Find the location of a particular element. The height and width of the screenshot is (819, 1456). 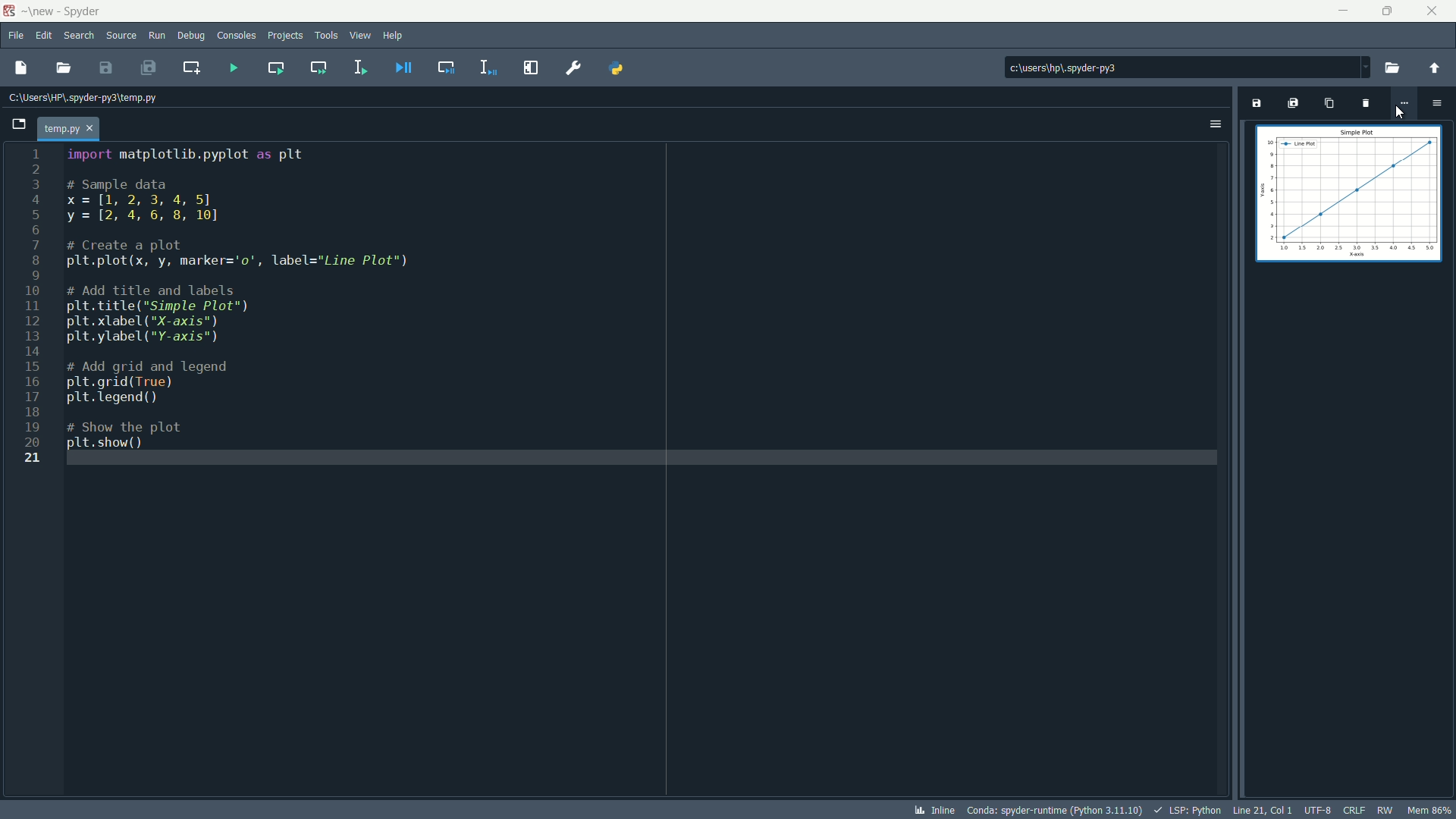

app name is located at coordinates (83, 10).